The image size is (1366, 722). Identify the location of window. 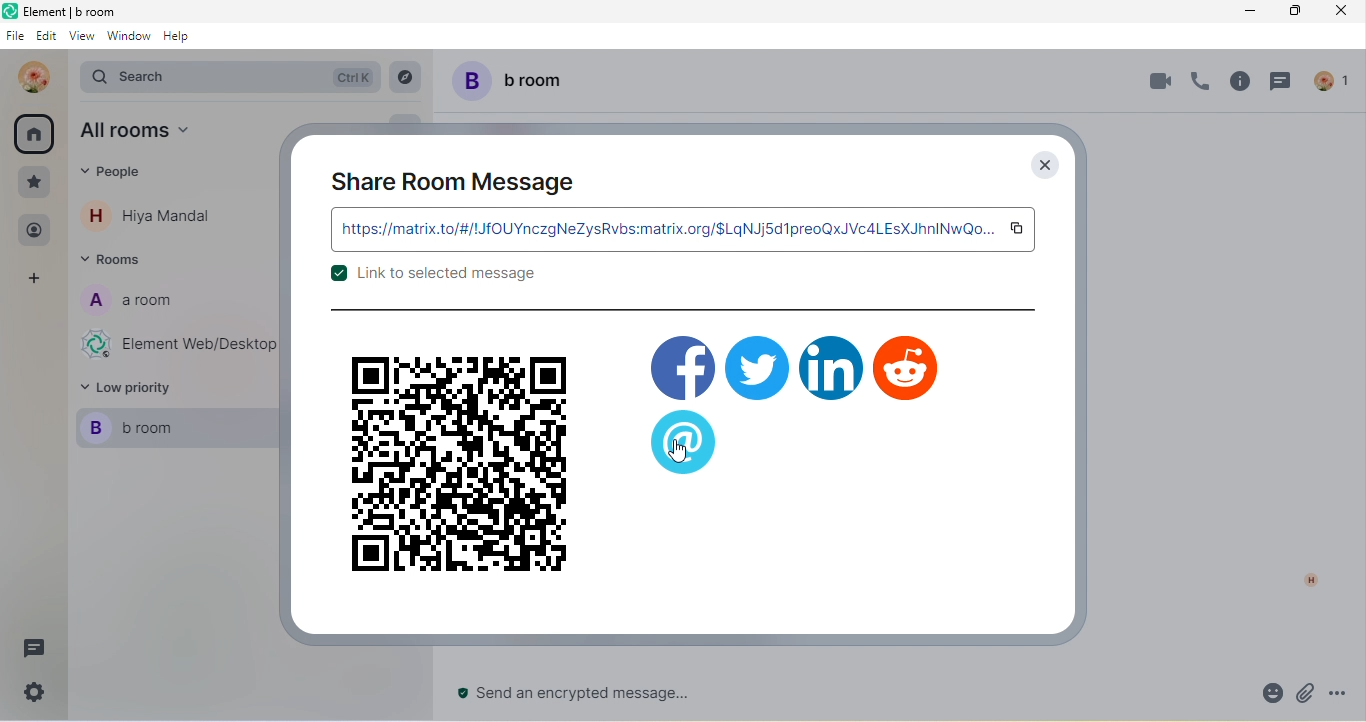
(128, 41).